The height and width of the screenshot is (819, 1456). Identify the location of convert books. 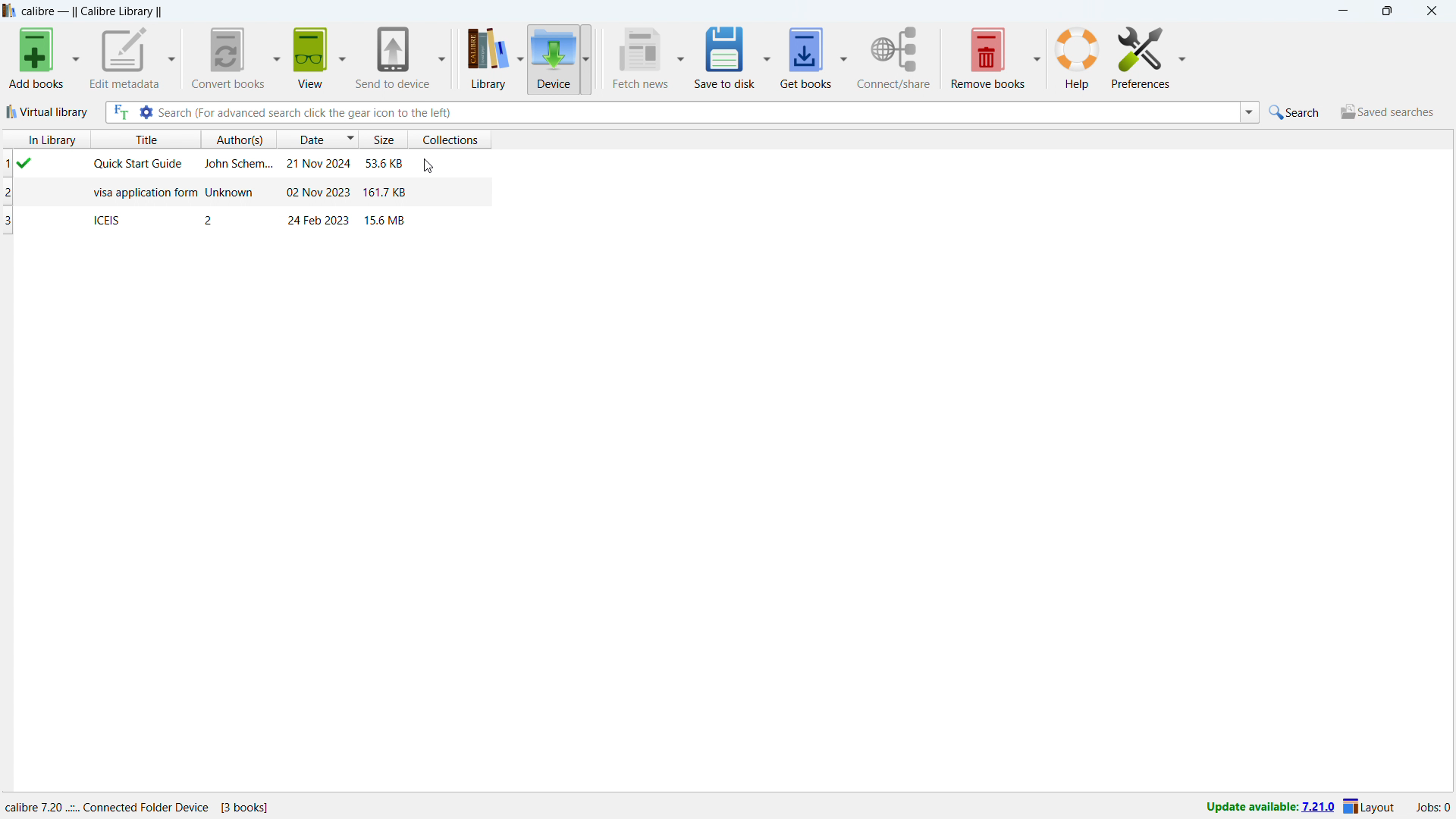
(225, 58).